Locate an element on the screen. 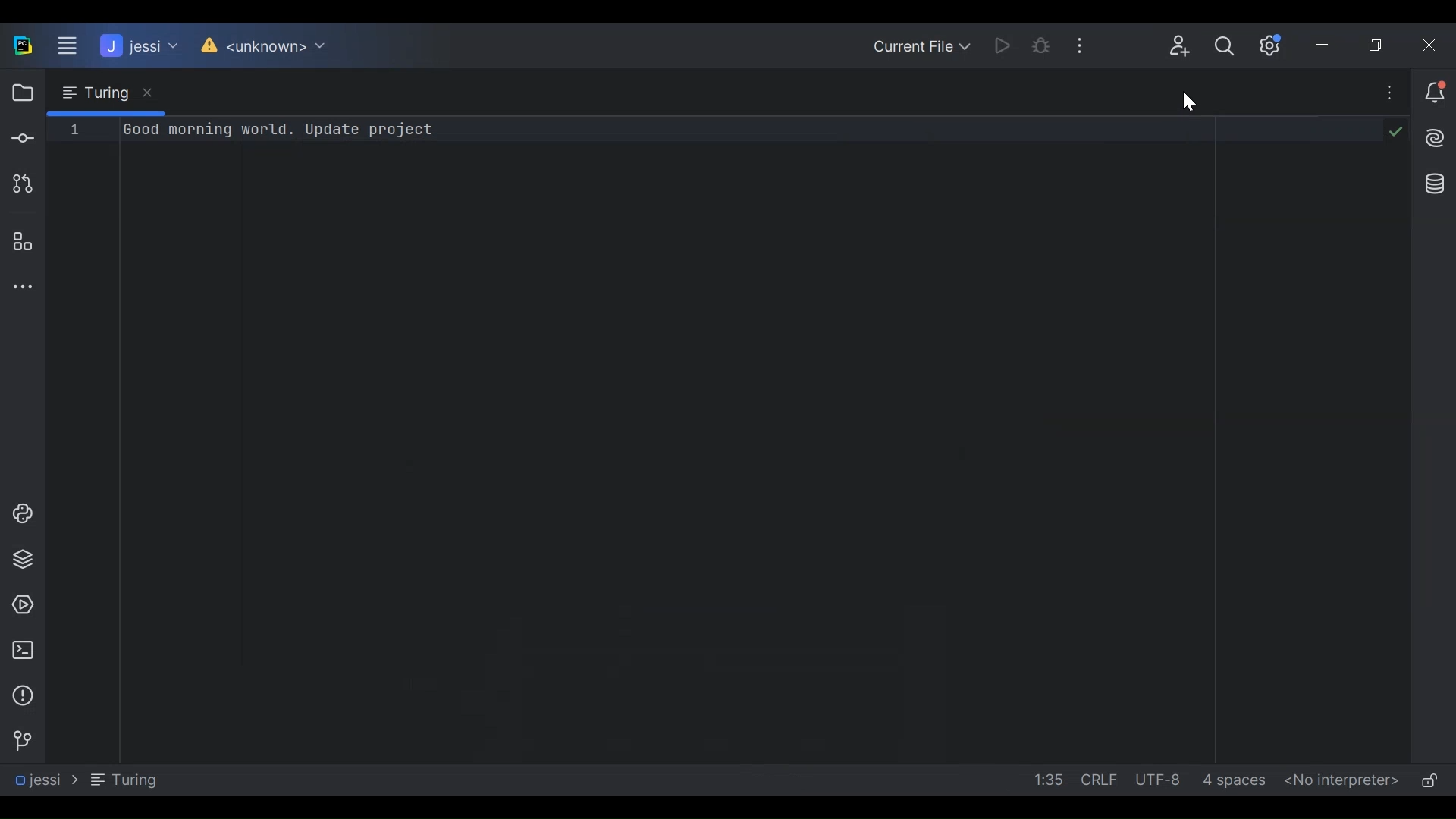 Image resolution: width=1456 pixels, height=819 pixels. No Interpreter is located at coordinates (1340, 782).